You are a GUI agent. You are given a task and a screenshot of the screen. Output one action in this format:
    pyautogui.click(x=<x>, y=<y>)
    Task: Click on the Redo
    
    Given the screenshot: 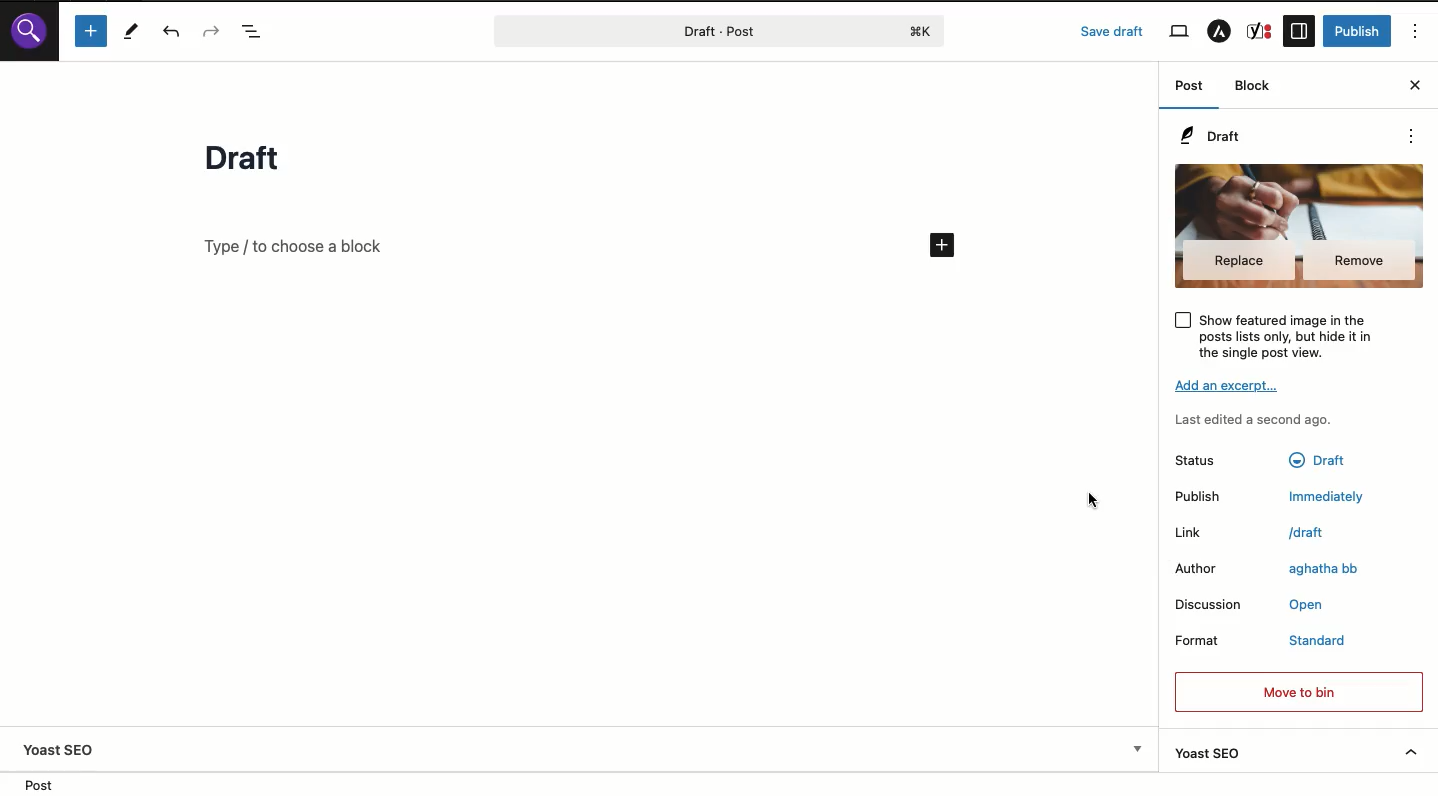 What is the action you would take?
    pyautogui.click(x=215, y=31)
    